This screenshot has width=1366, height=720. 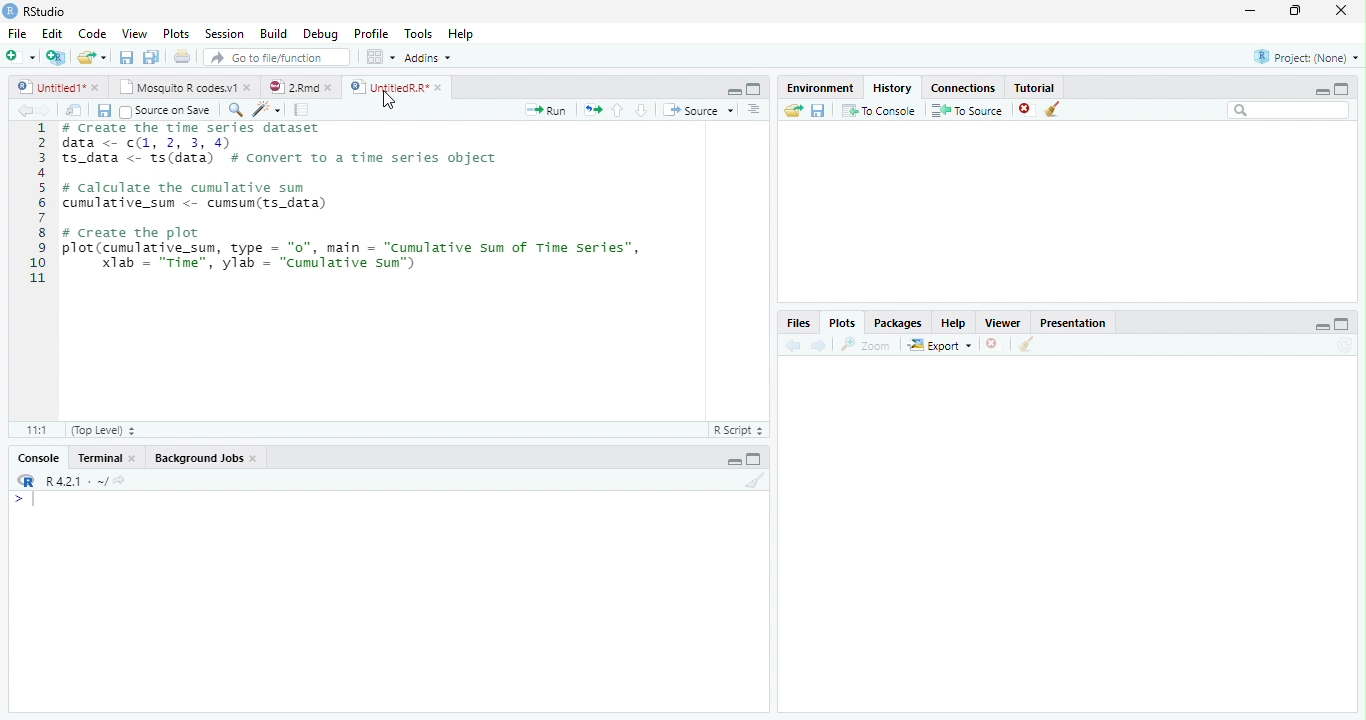 I want to click on Zoom, so click(x=866, y=345).